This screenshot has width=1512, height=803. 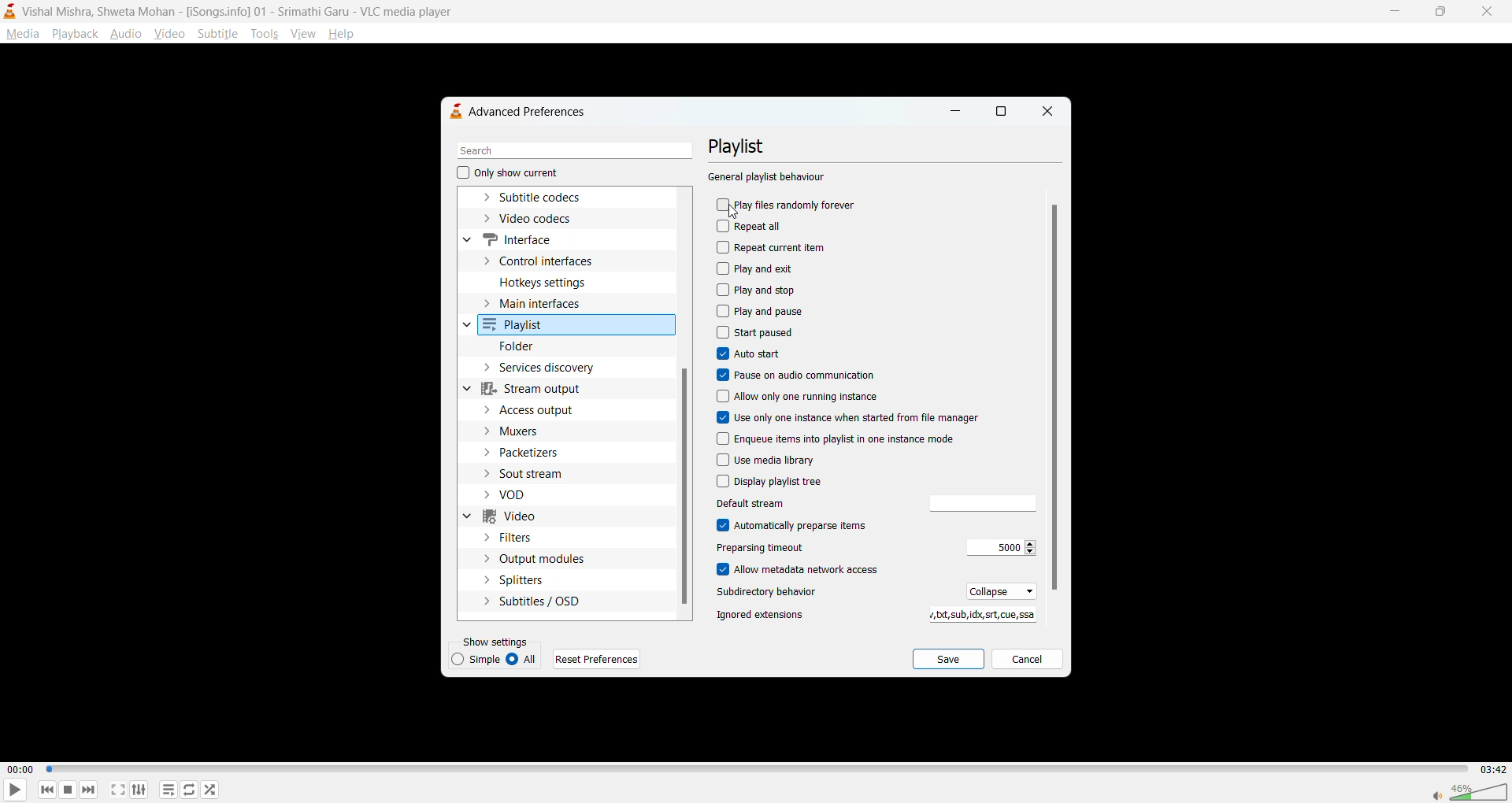 What do you see at coordinates (344, 35) in the screenshot?
I see `help` at bounding box center [344, 35].